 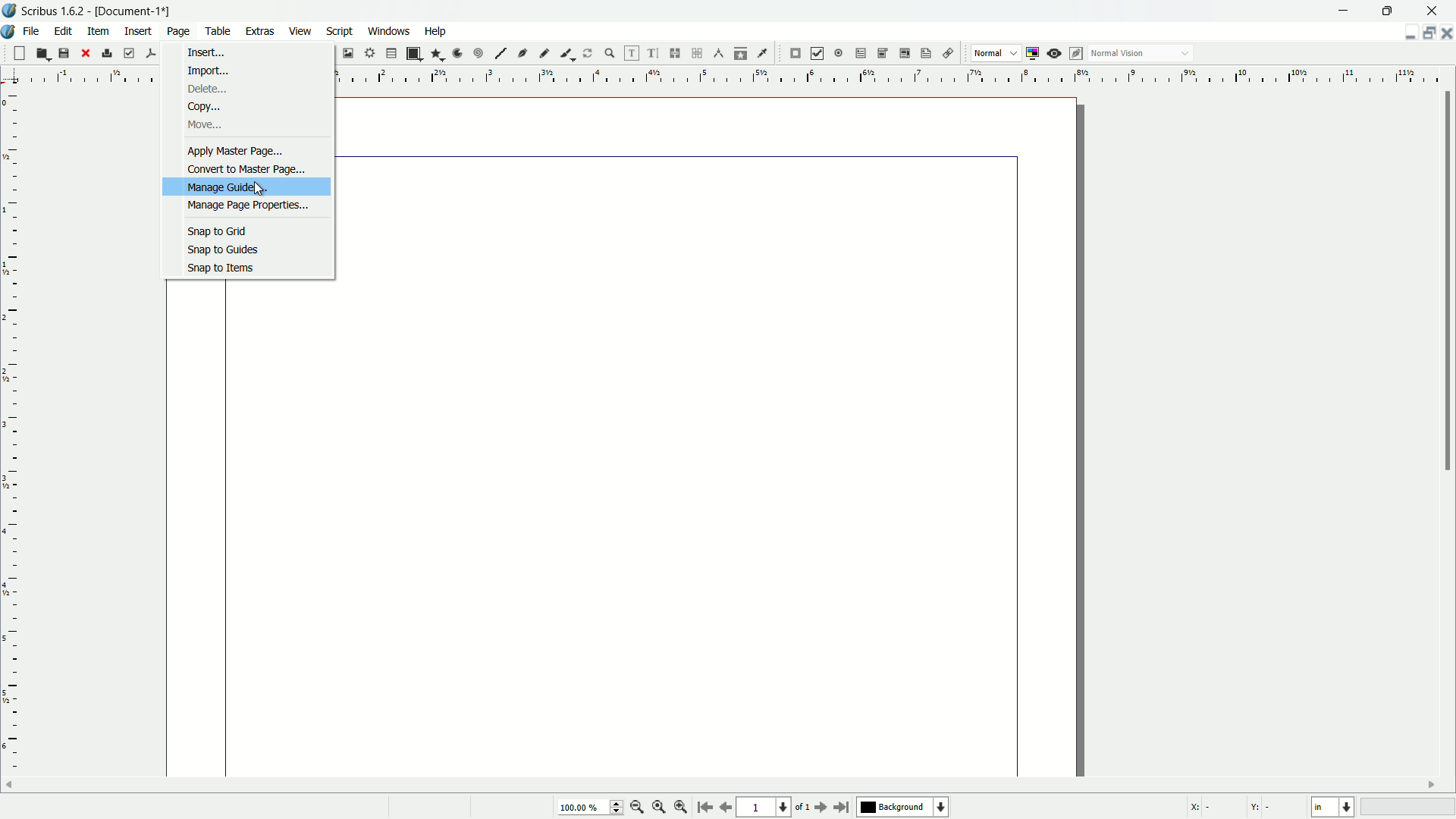 What do you see at coordinates (206, 54) in the screenshot?
I see `insert` at bounding box center [206, 54].